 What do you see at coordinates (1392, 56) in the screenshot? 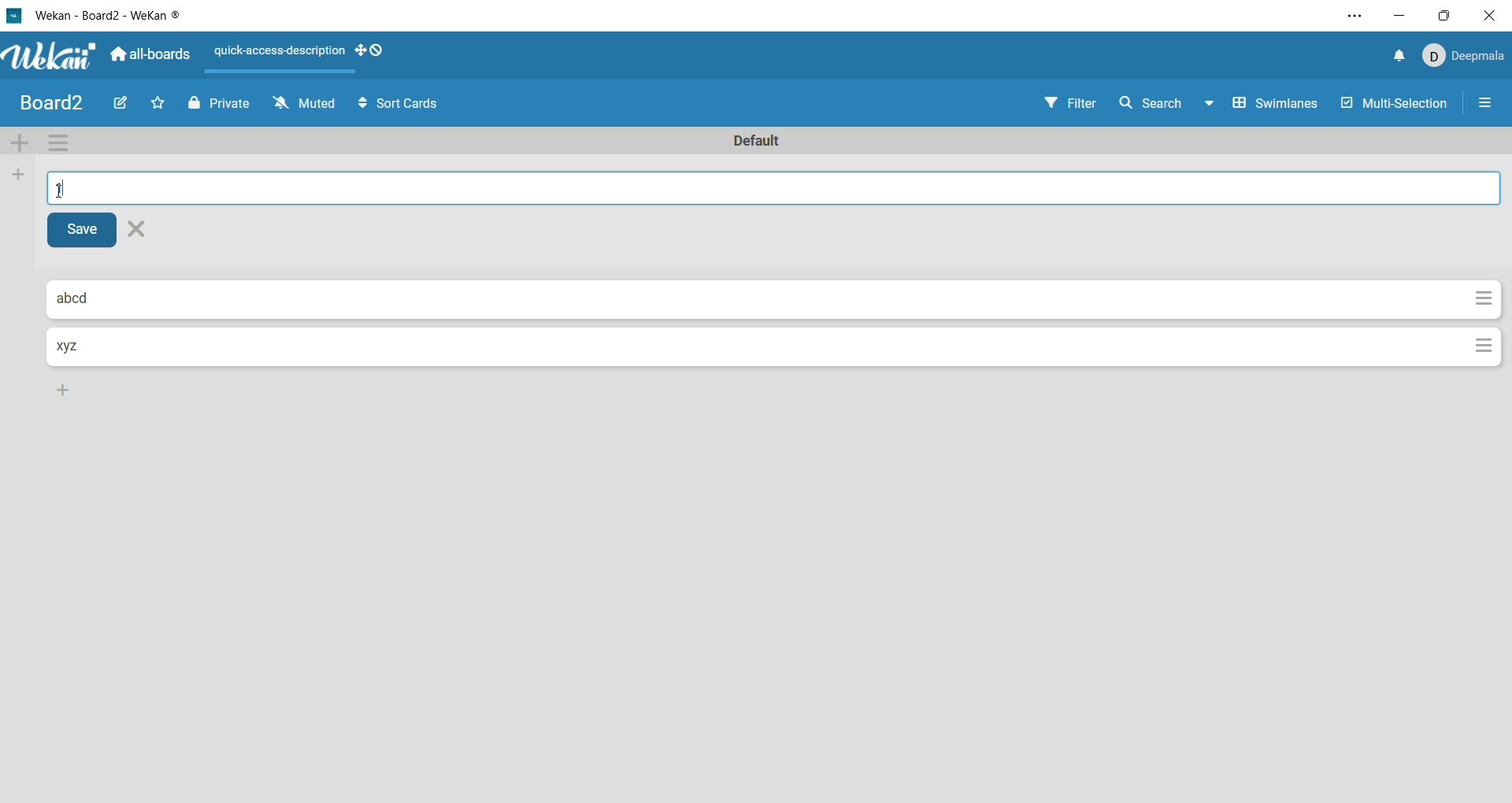
I see `notification` at bounding box center [1392, 56].